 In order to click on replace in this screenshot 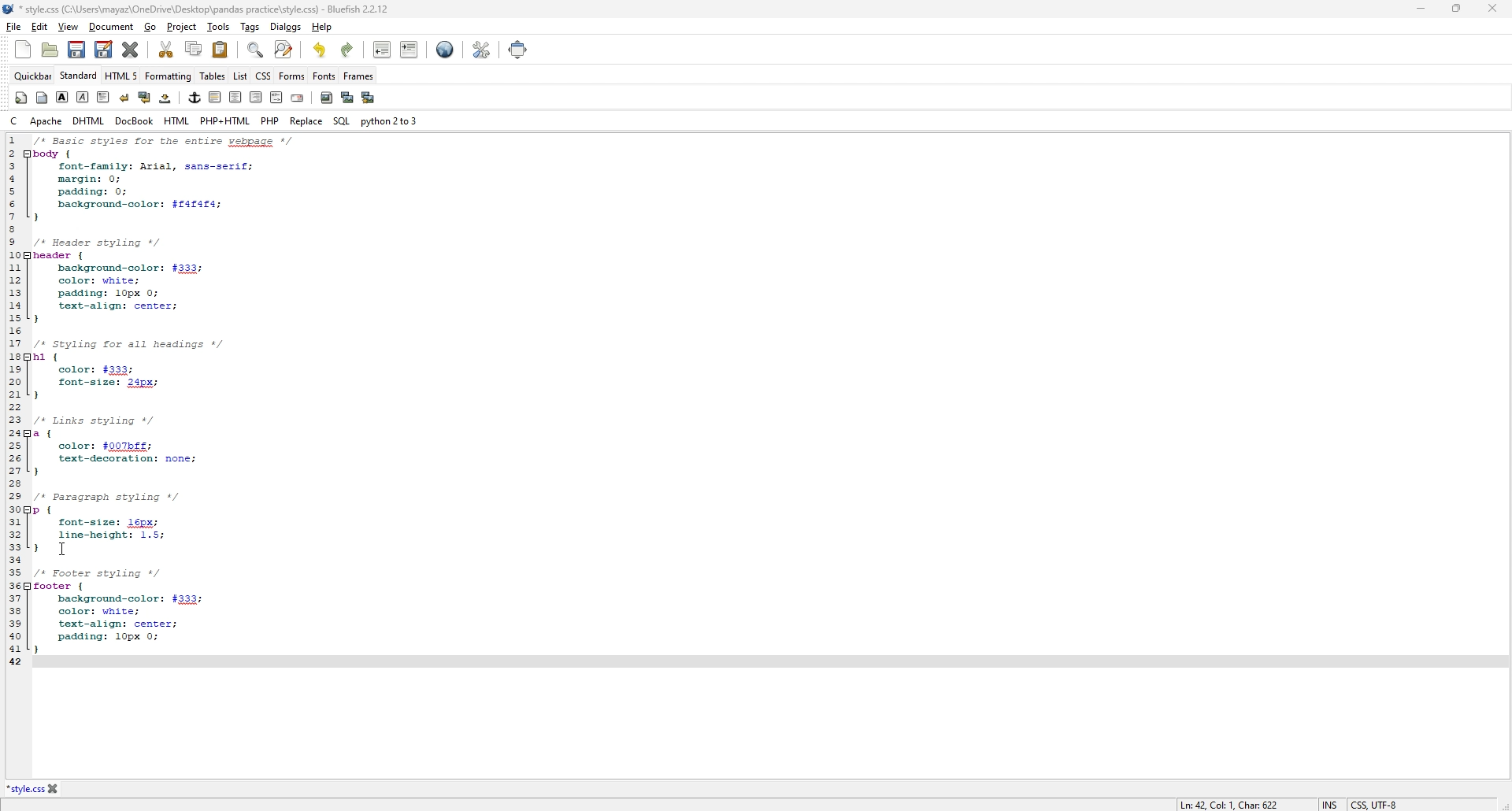, I will do `click(306, 122)`.